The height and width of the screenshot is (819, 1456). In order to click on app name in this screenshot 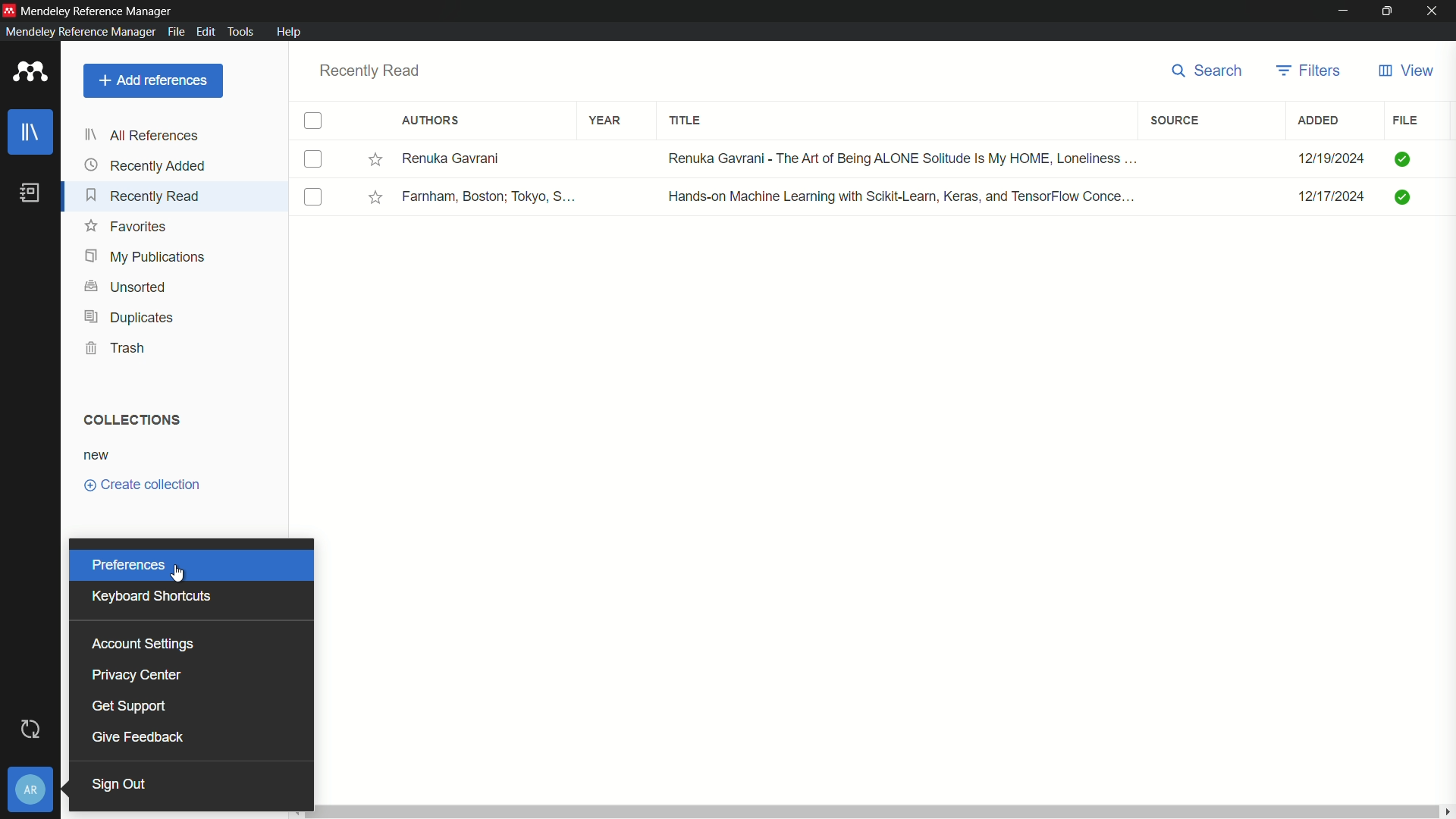, I will do `click(99, 11)`.